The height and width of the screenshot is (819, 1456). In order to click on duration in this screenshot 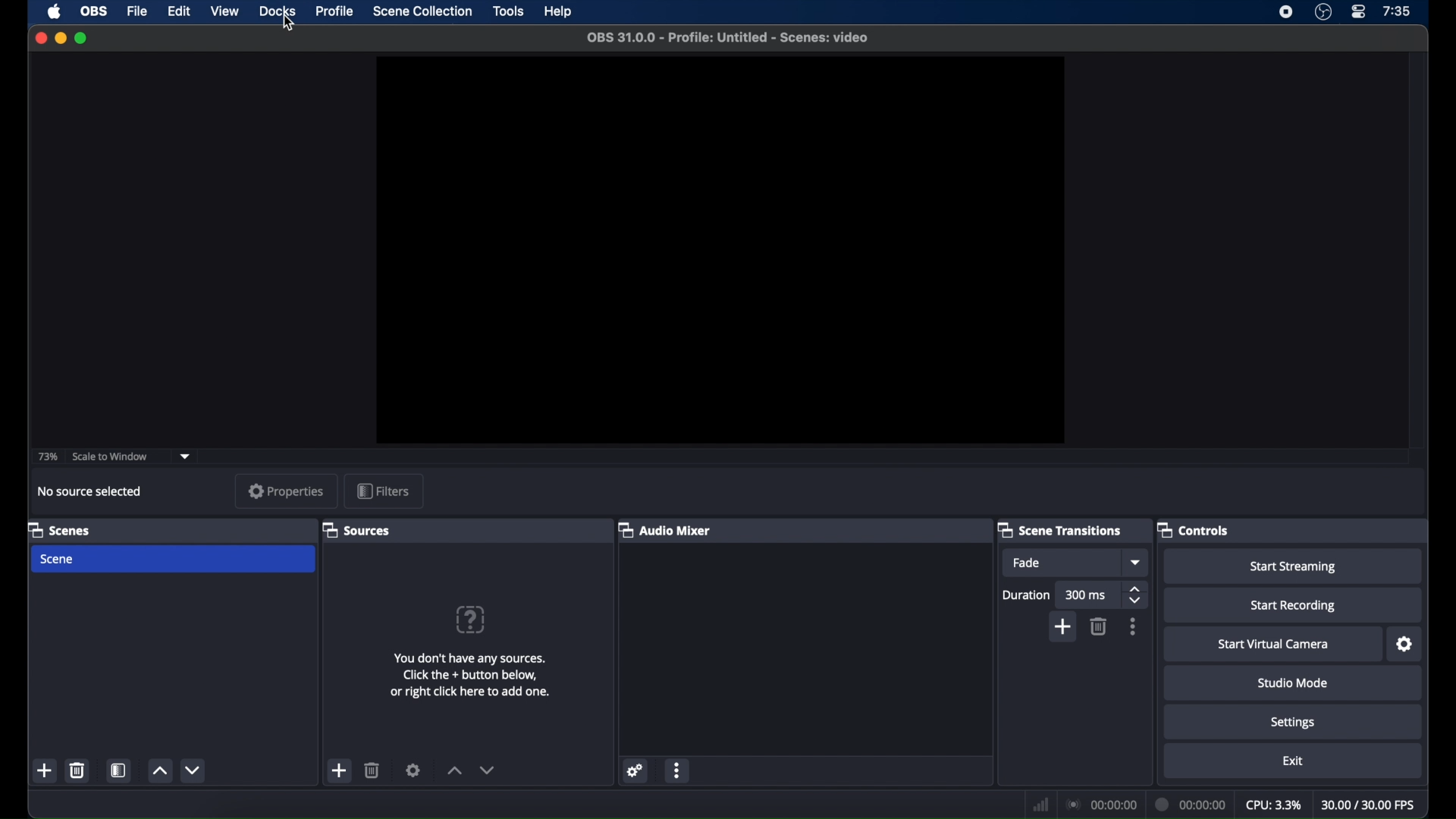, I will do `click(1192, 805)`.